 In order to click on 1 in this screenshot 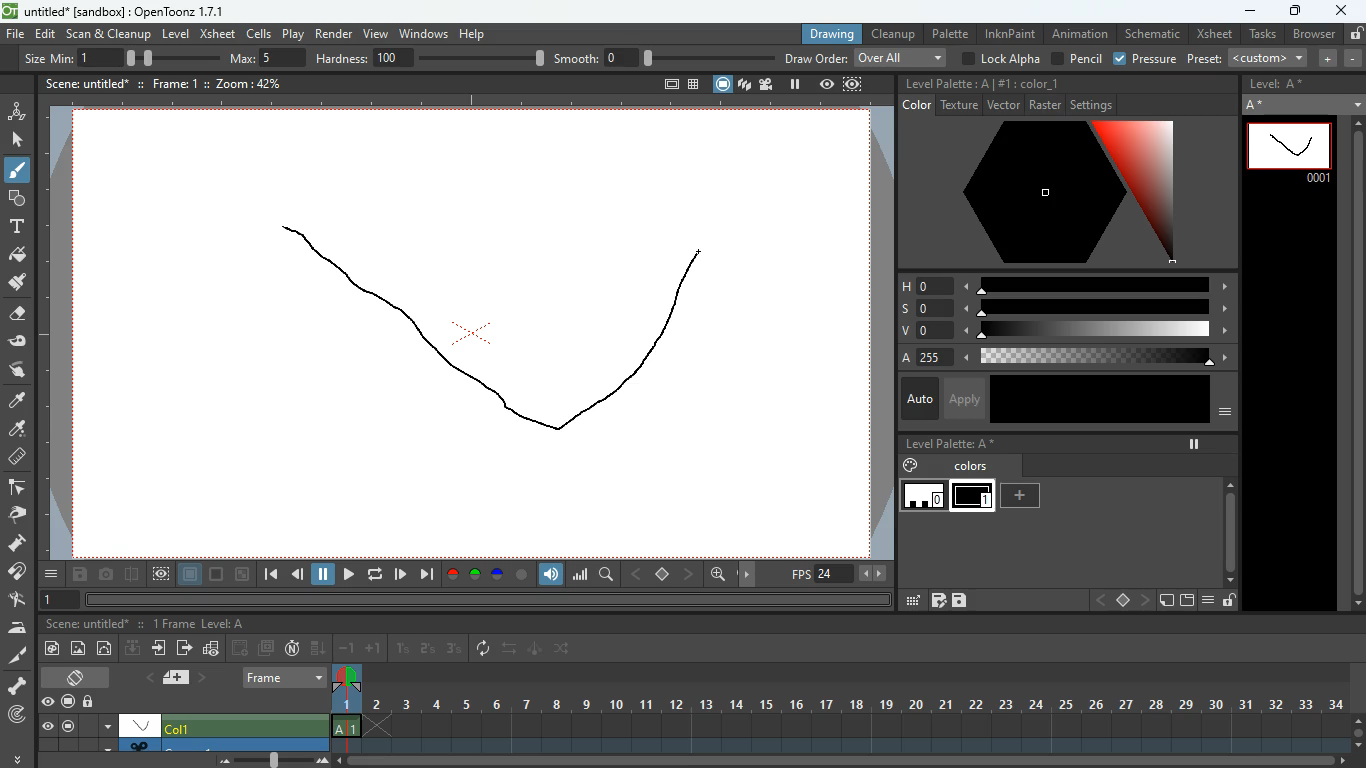, I will do `click(403, 649)`.